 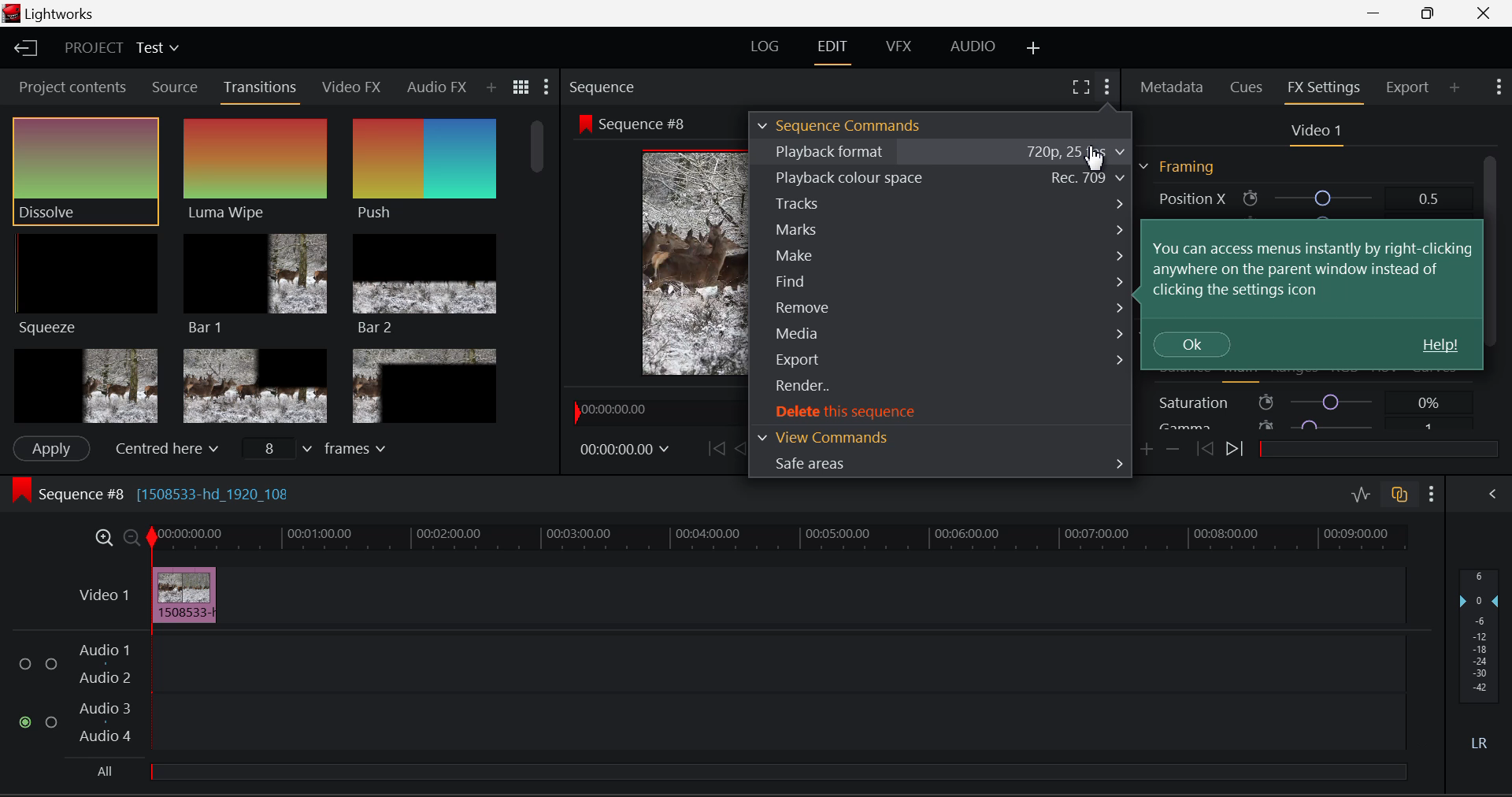 What do you see at coordinates (1032, 48) in the screenshot?
I see `Add Layout` at bounding box center [1032, 48].